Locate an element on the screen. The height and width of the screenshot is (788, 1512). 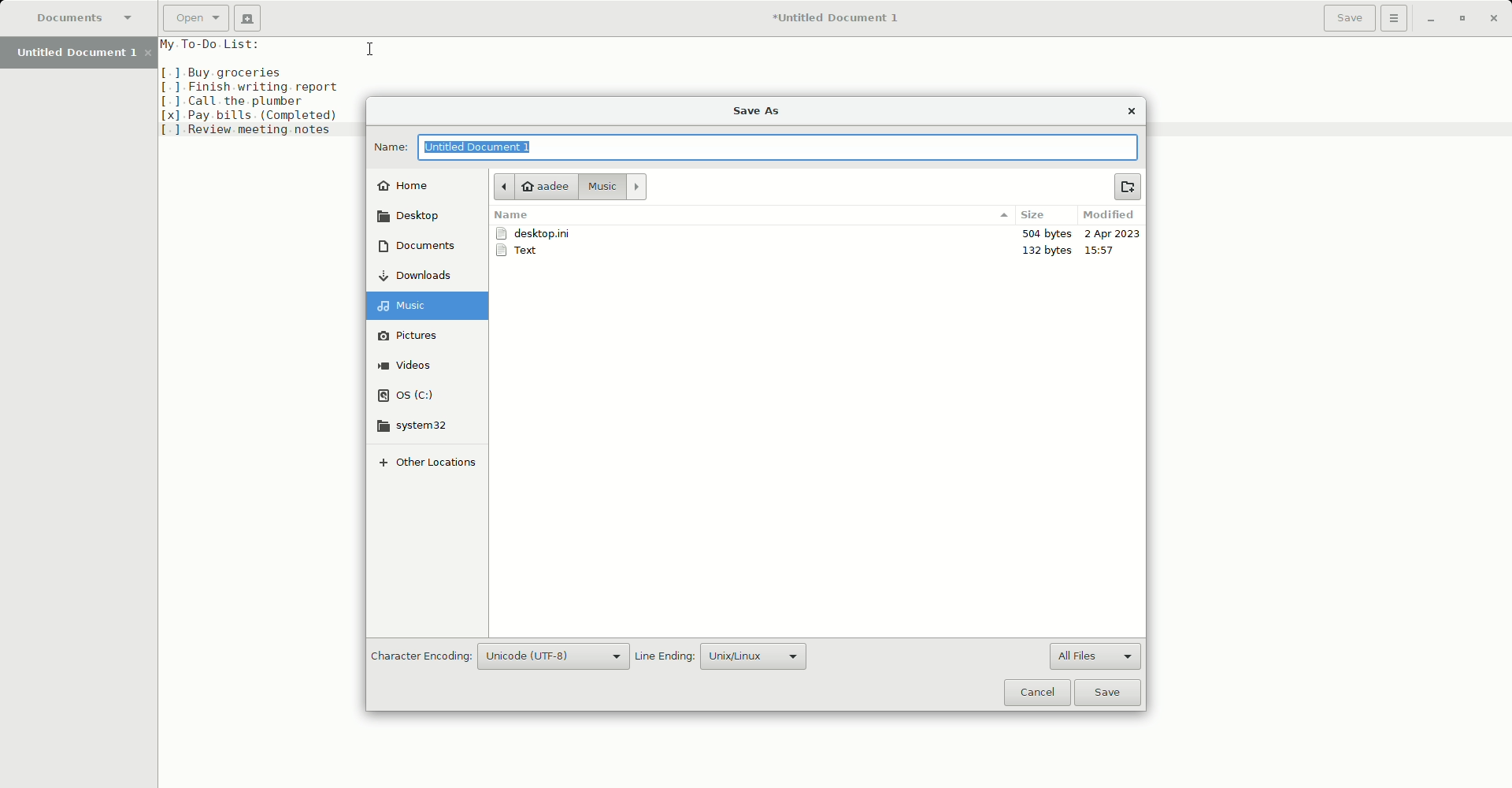
All files is located at coordinates (1095, 656).